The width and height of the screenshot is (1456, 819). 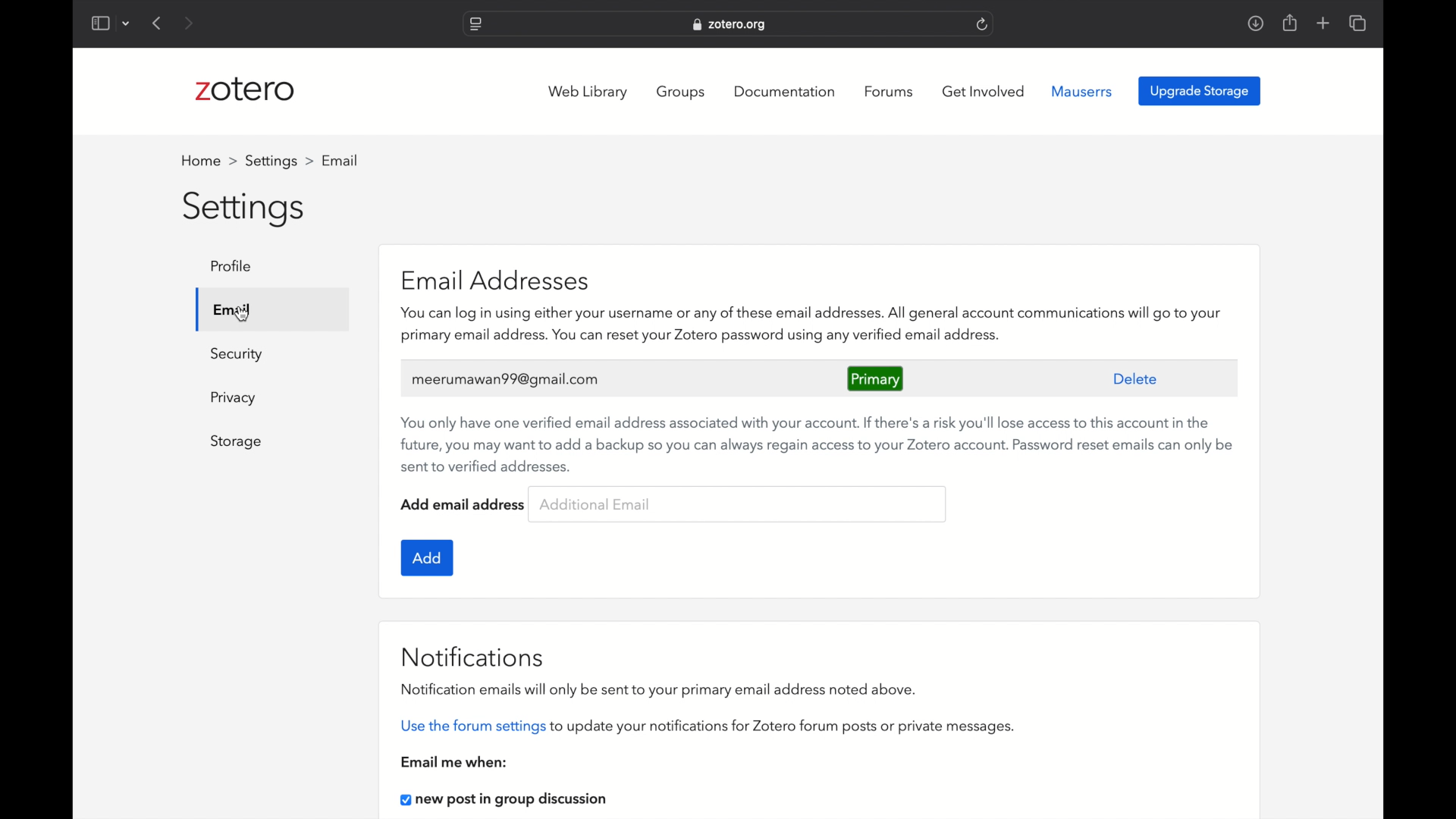 I want to click on use the forum settings to update your notifications for zotero forum posts or private messages, so click(x=707, y=726).